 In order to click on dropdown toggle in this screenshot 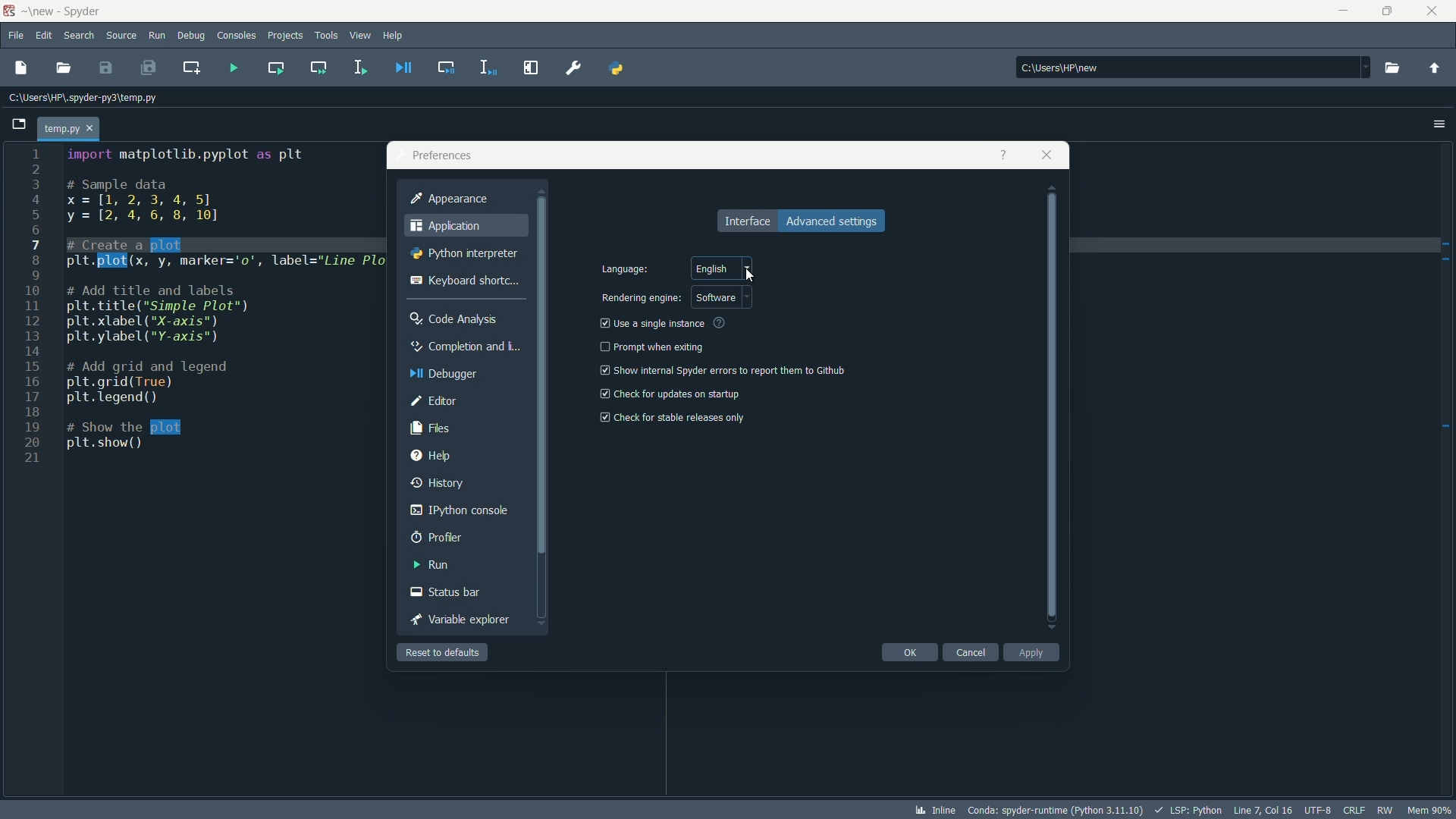, I will do `click(1362, 67)`.